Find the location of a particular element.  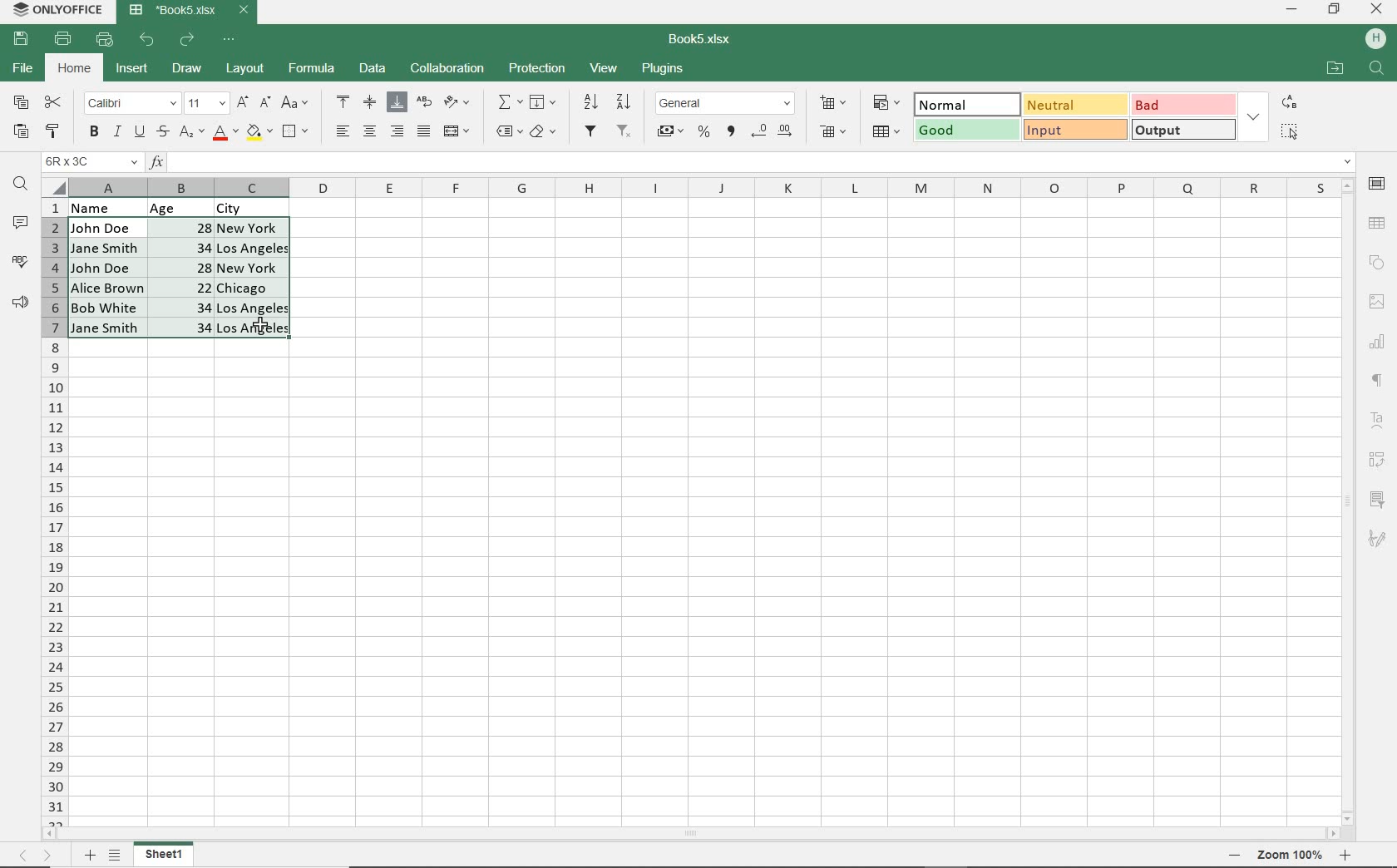

PARAGRAPH SETTINGS is located at coordinates (1378, 381).